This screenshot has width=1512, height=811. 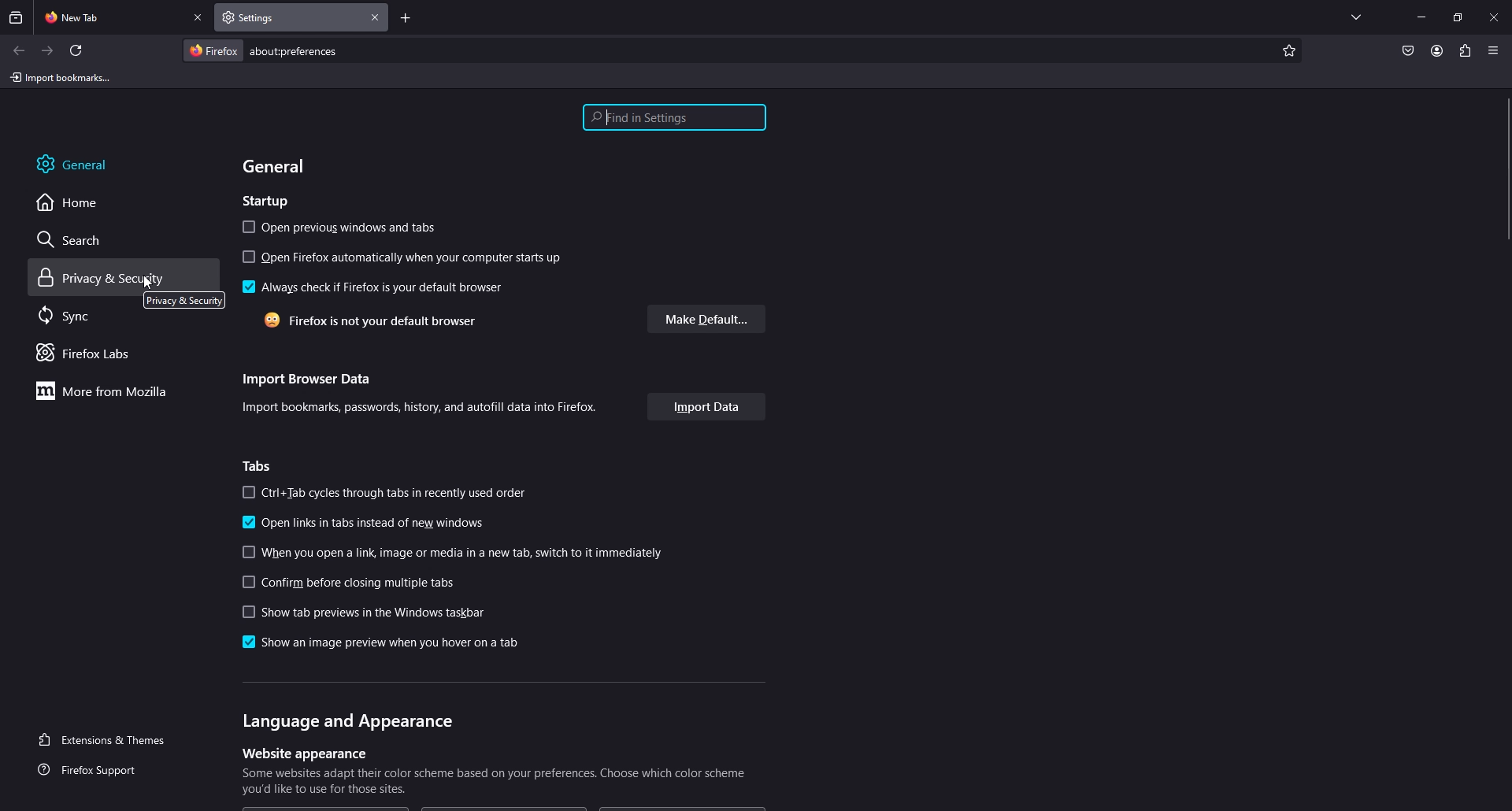 I want to click on open firefox automatically, so click(x=405, y=257).